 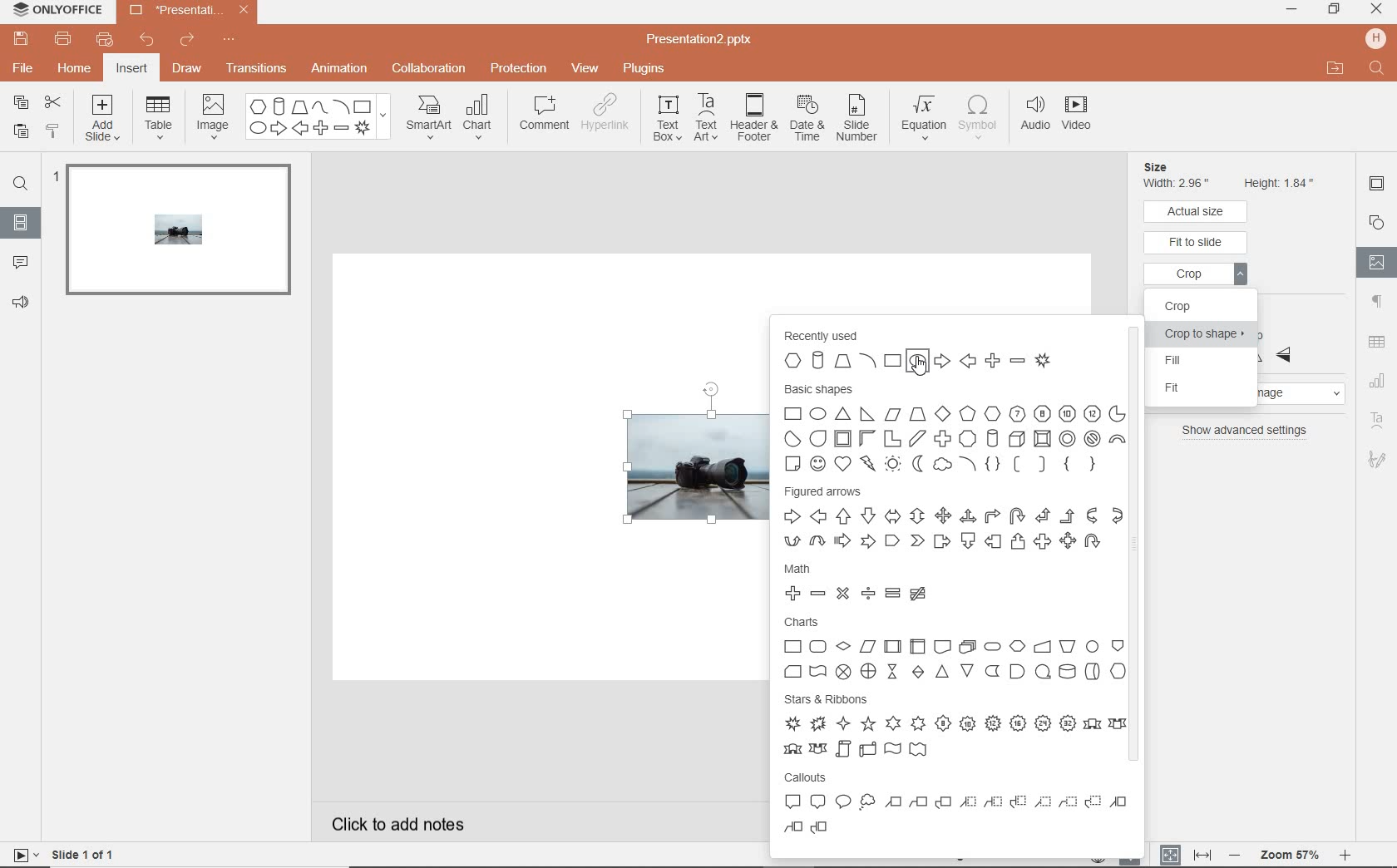 I want to click on hp, so click(x=1375, y=37).